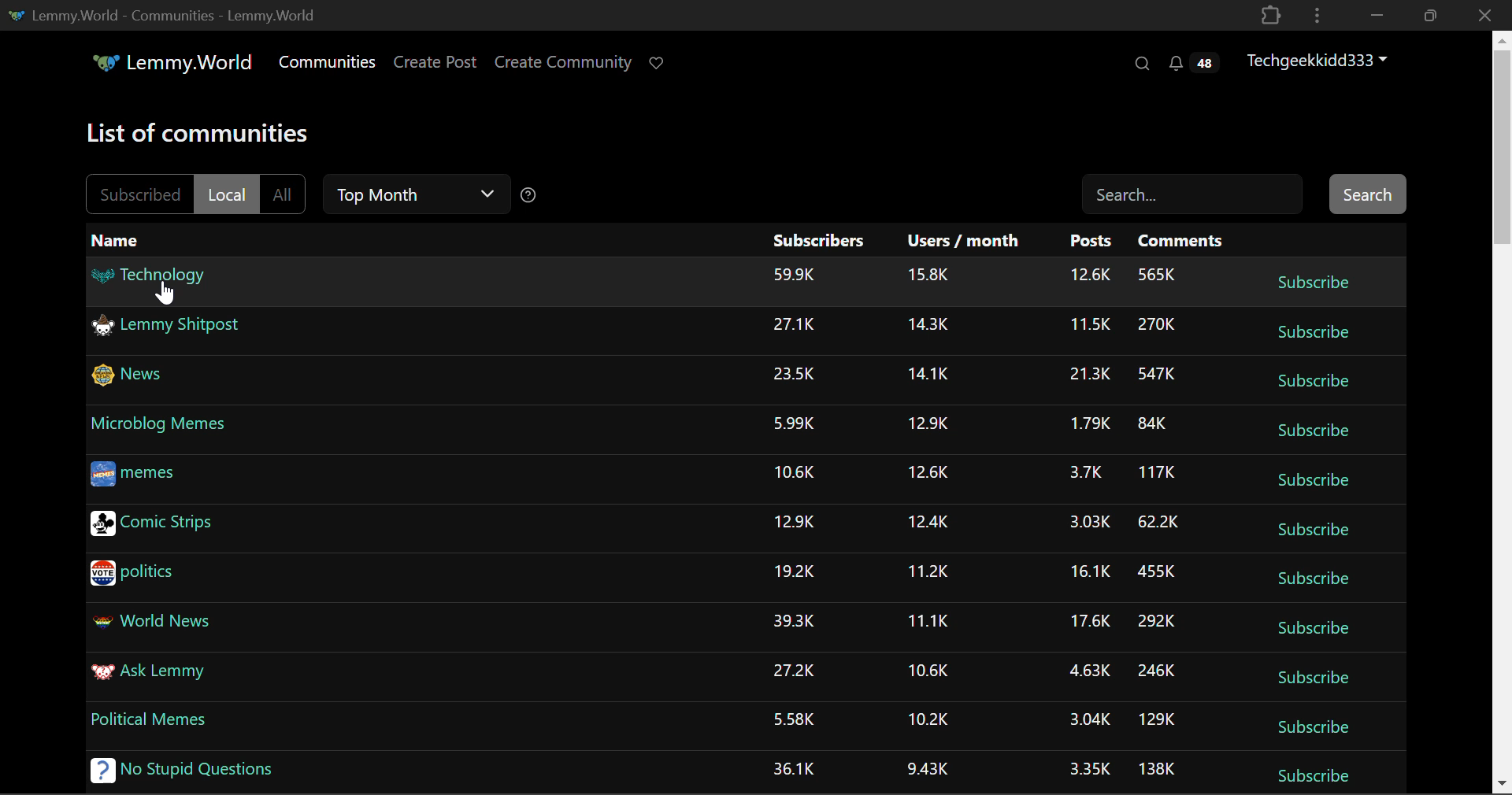 This screenshot has height=795, width=1512. What do you see at coordinates (1088, 376) in the screenshot?
I see `Amount ` at bounding box center [1088, 376].